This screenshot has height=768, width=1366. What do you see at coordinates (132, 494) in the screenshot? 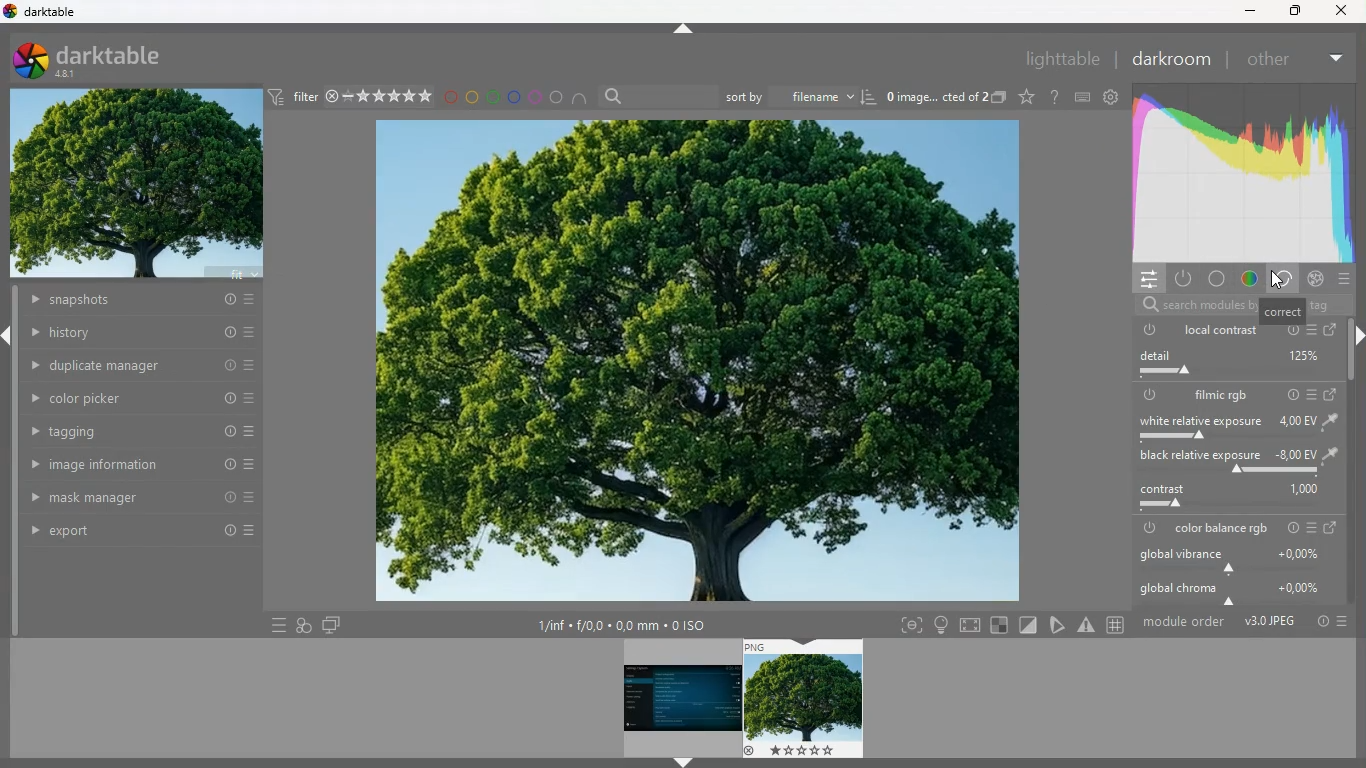
I see `mask manager` at bounding box center [132, 494].